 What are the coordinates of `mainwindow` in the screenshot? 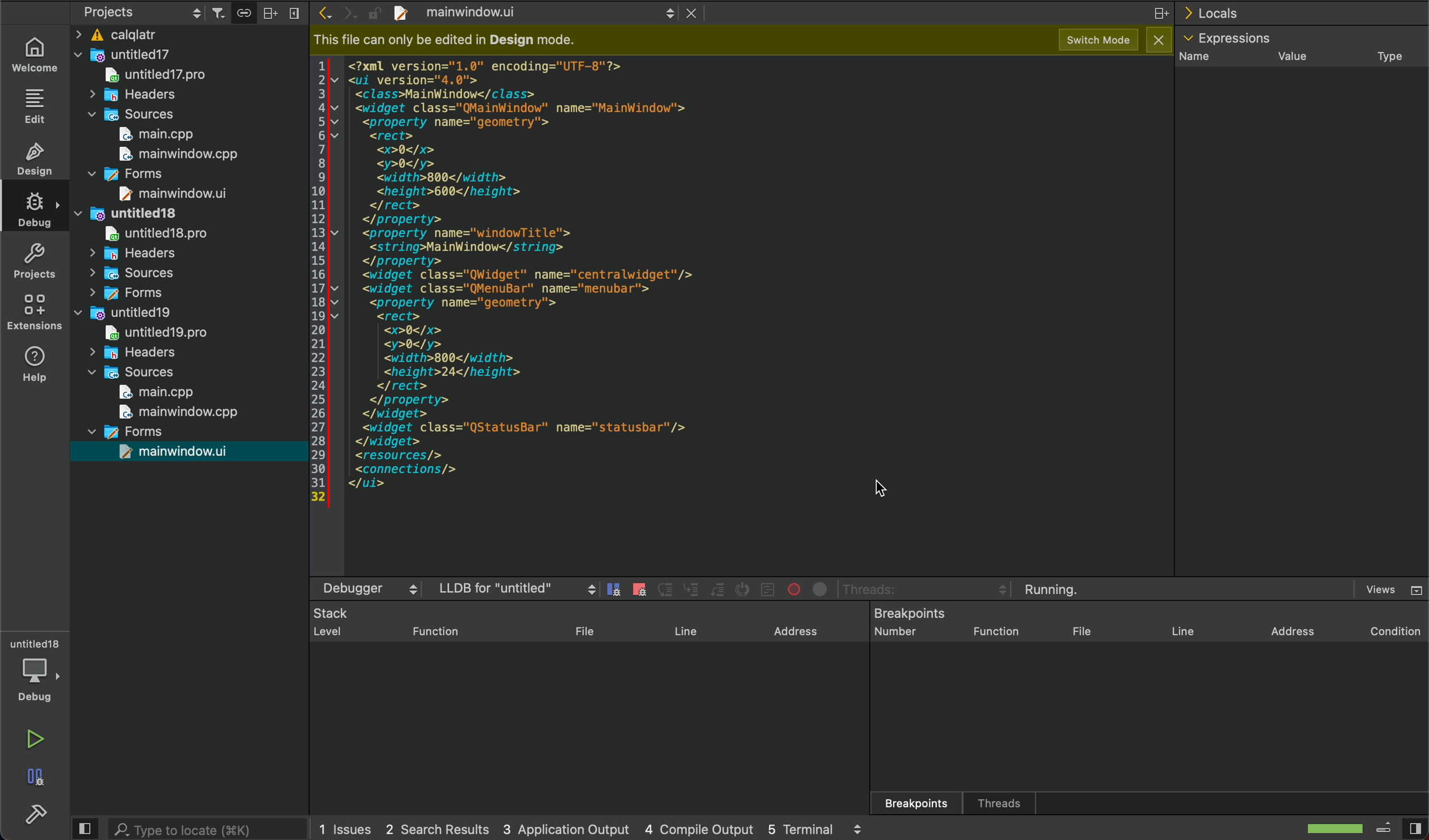 It's located at (183, 413).